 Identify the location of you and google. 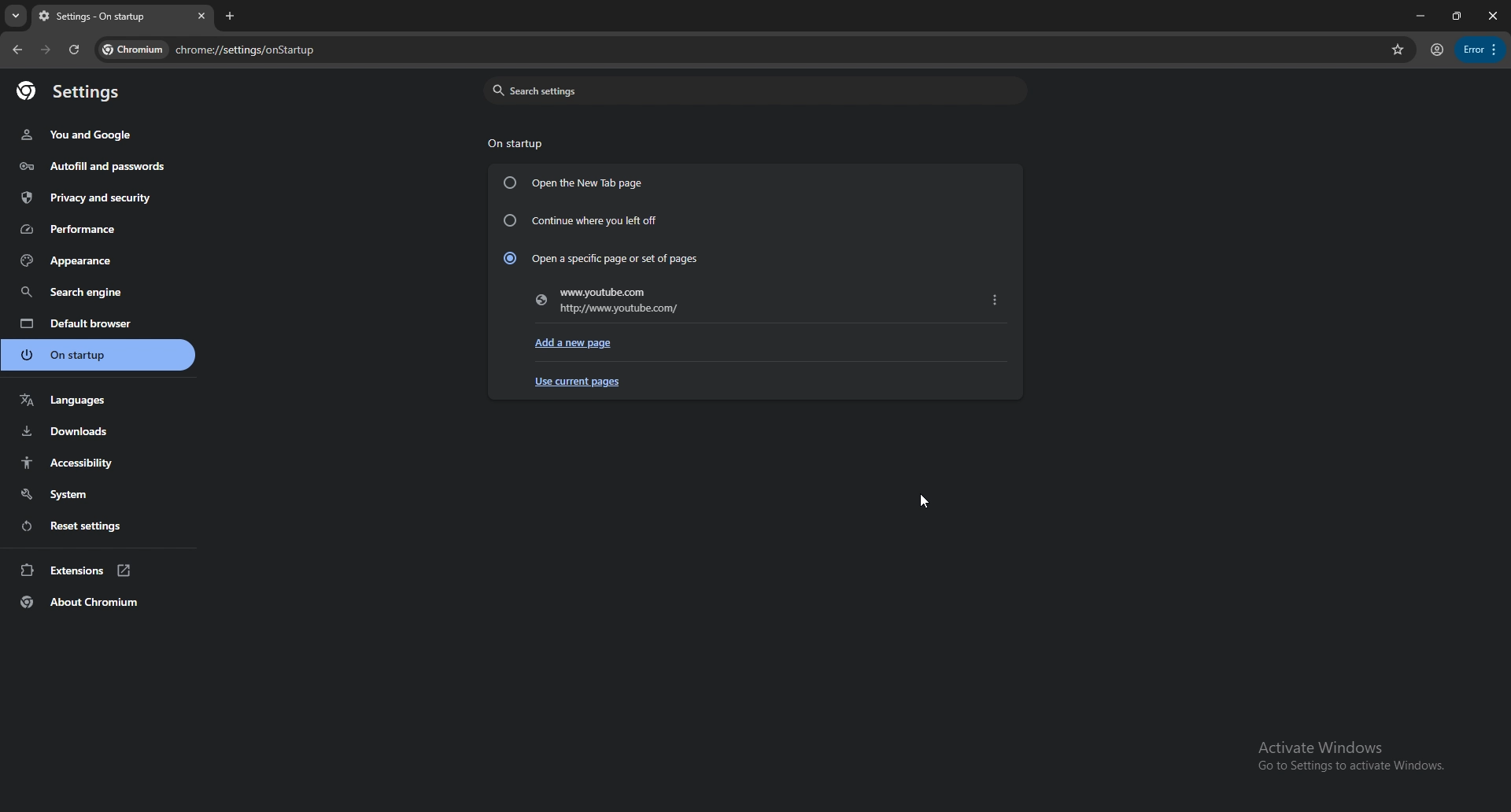
(81, 135).